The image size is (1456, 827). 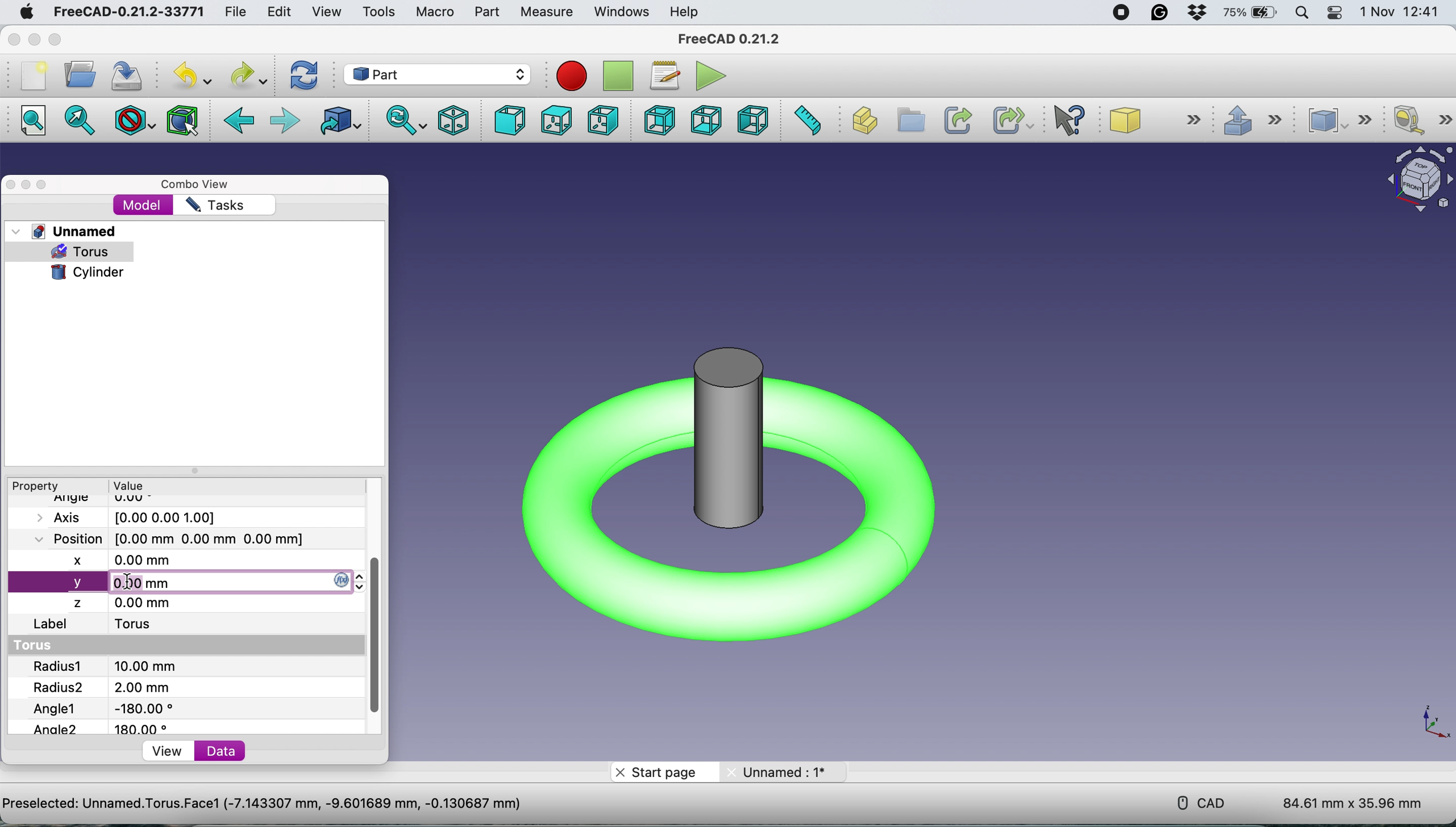 I want to click on rear, so click(x=660, y=120).